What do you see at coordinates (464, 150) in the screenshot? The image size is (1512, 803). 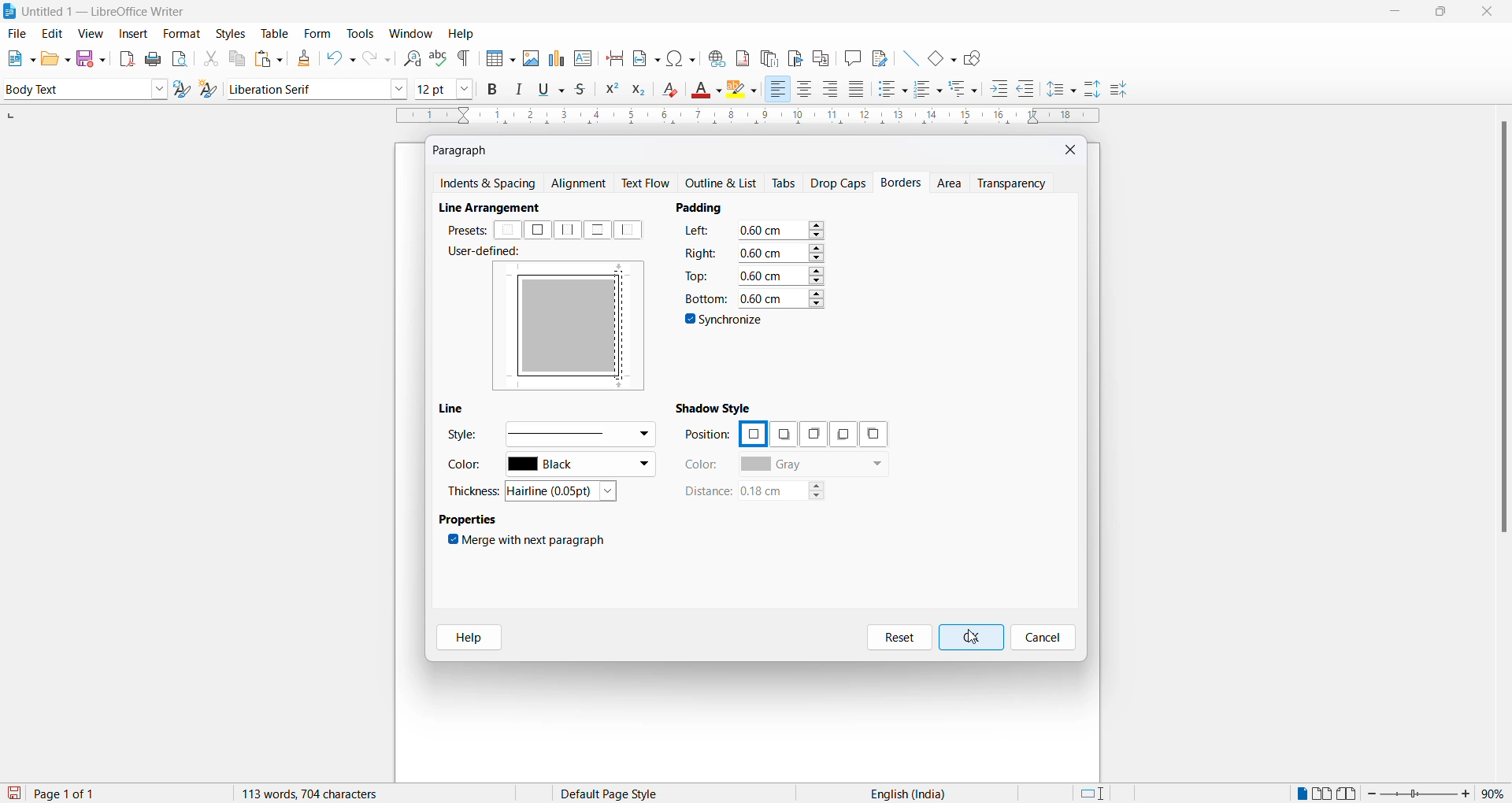 I see `paragraph dialog box` at bounding box center [464, 150].